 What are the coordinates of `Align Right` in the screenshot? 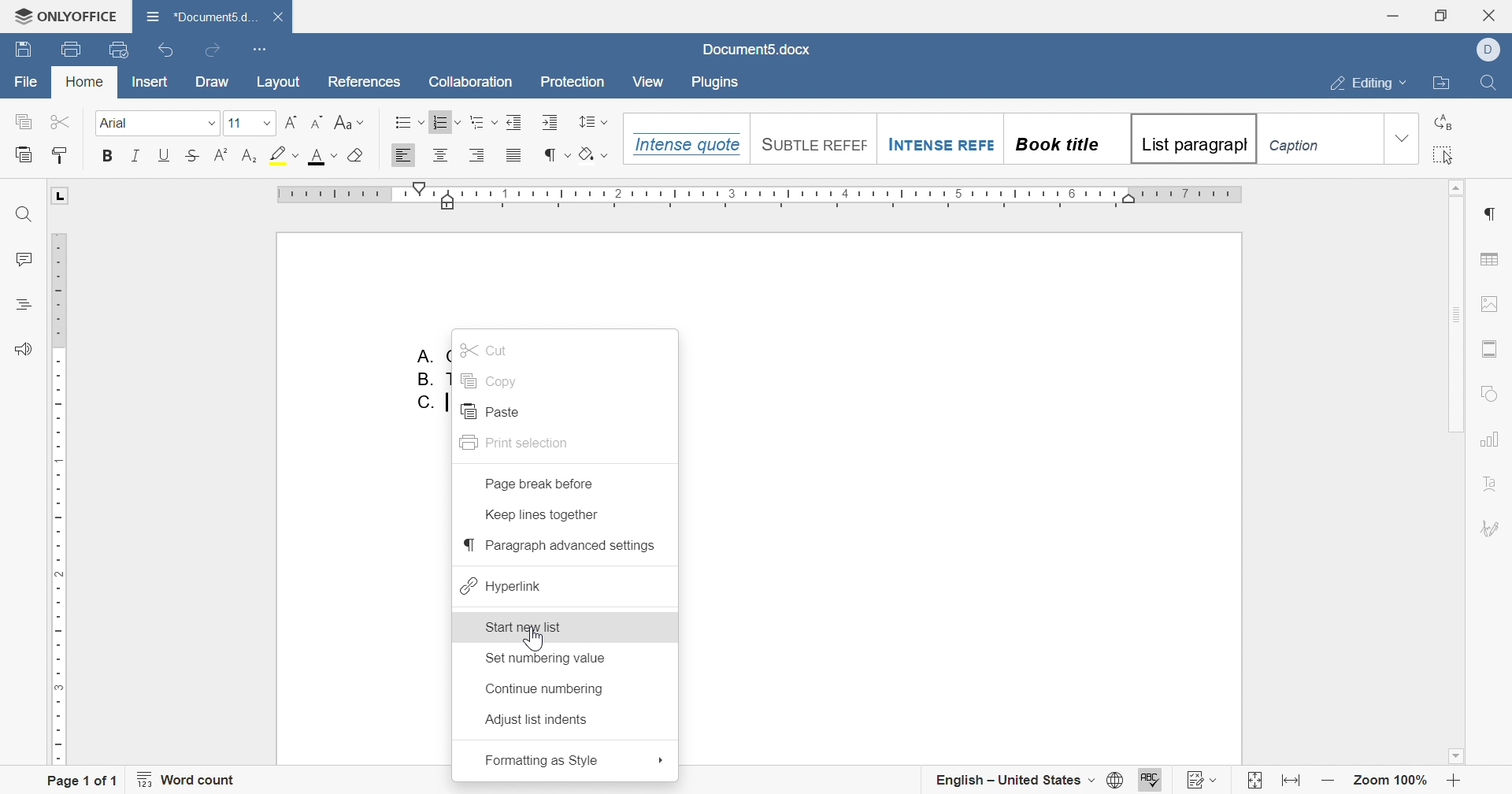 It's located at (477, 154).